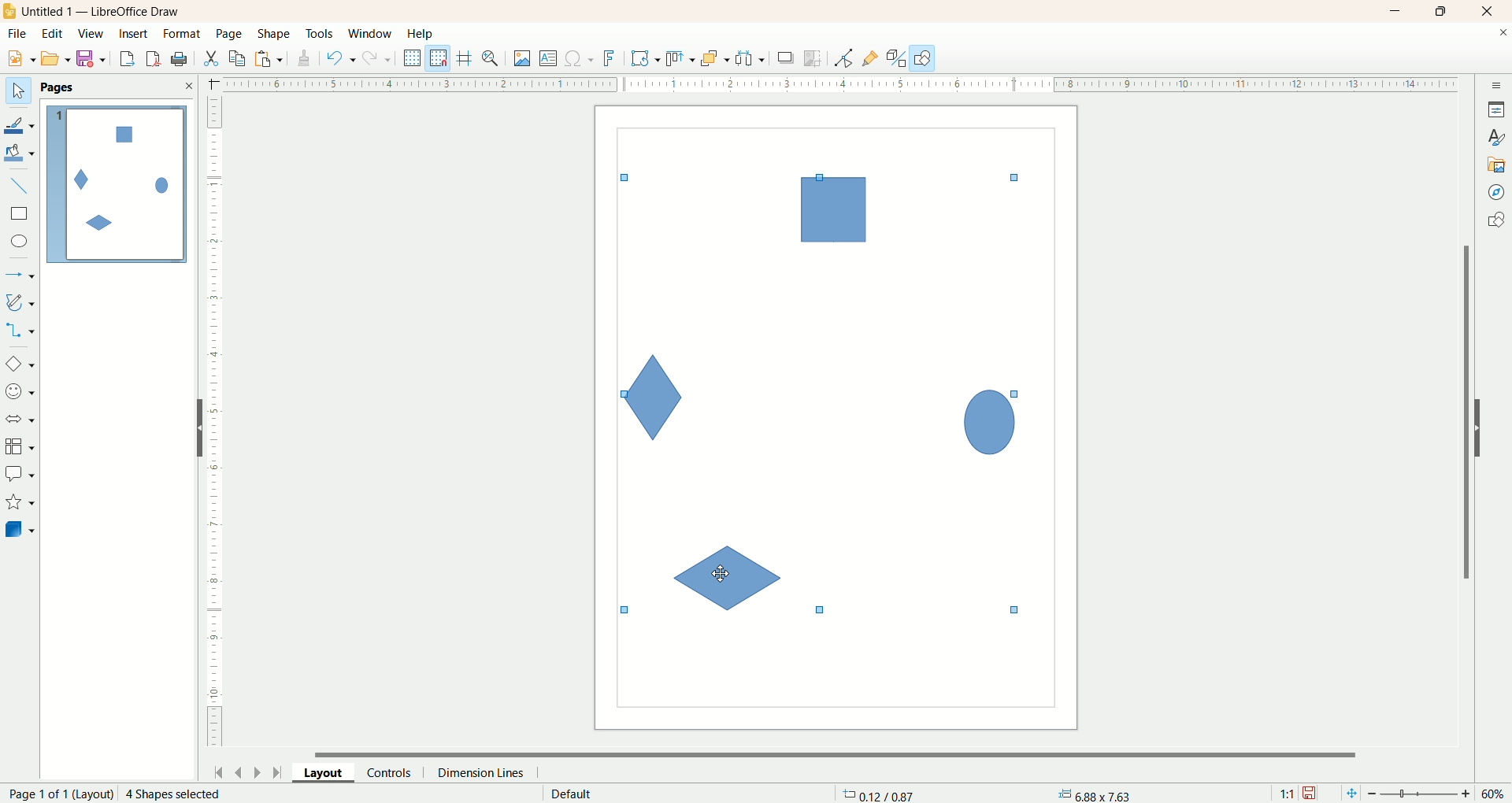 Image resolution: width=1512 pixels, height=803 pixels. What do you see at coordinates (183, 35) in the screenshot?
I see `format` at bounding box center [183, 35].